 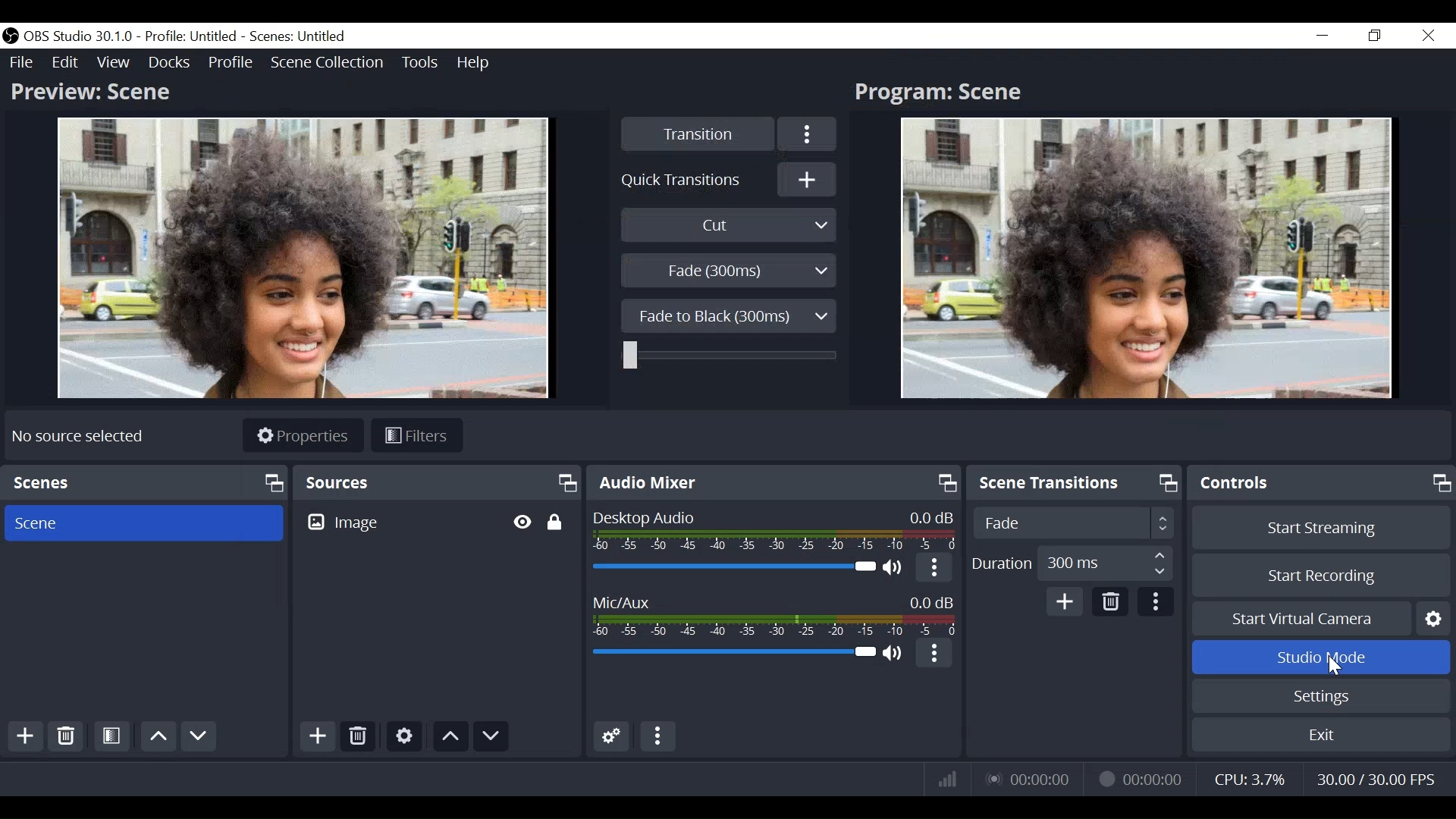 I want to click on File, so click(x=20, y=61).